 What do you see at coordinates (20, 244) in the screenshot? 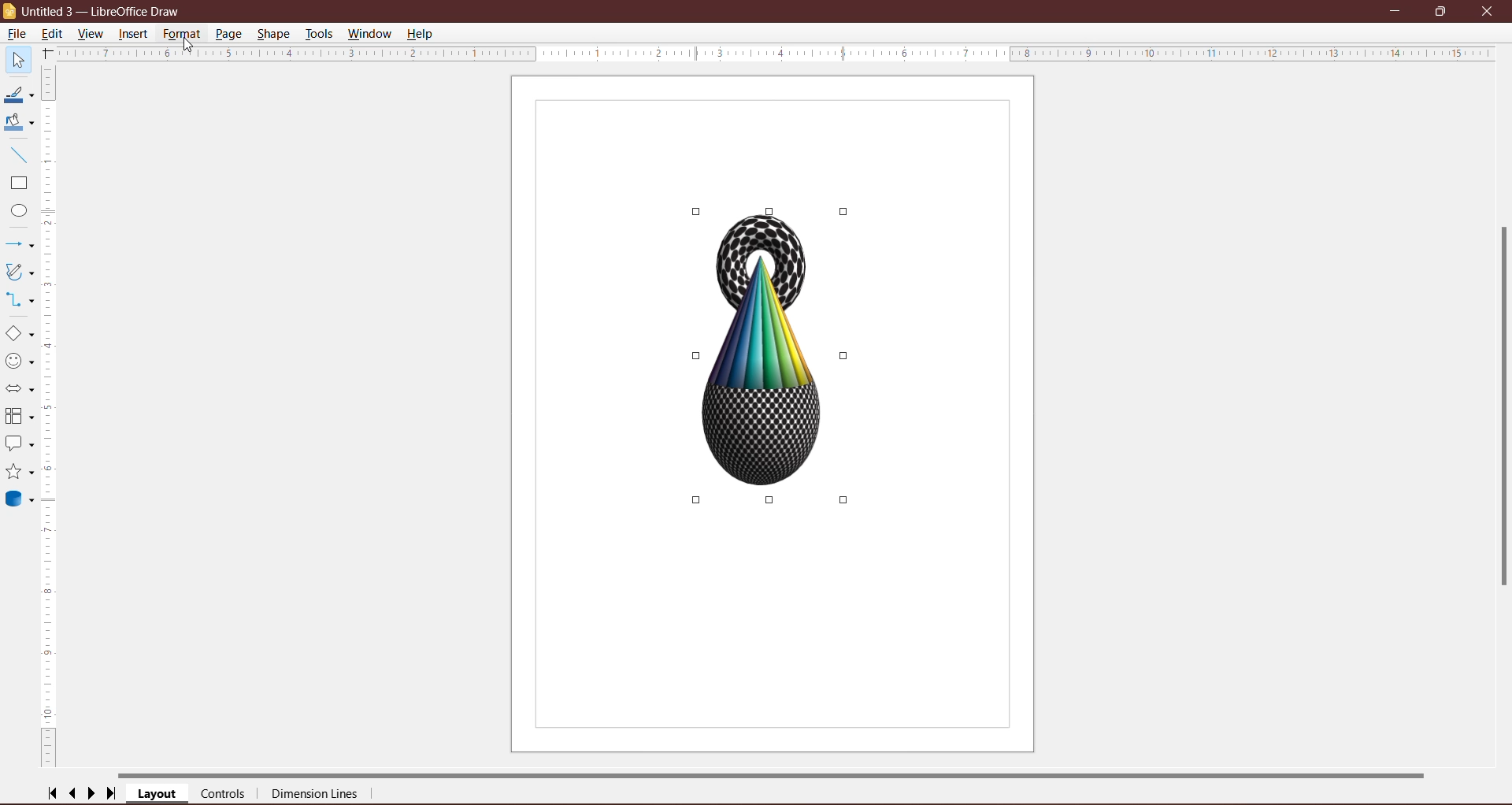
I see `Lines and Arrows` at bounding box center [20, 244].